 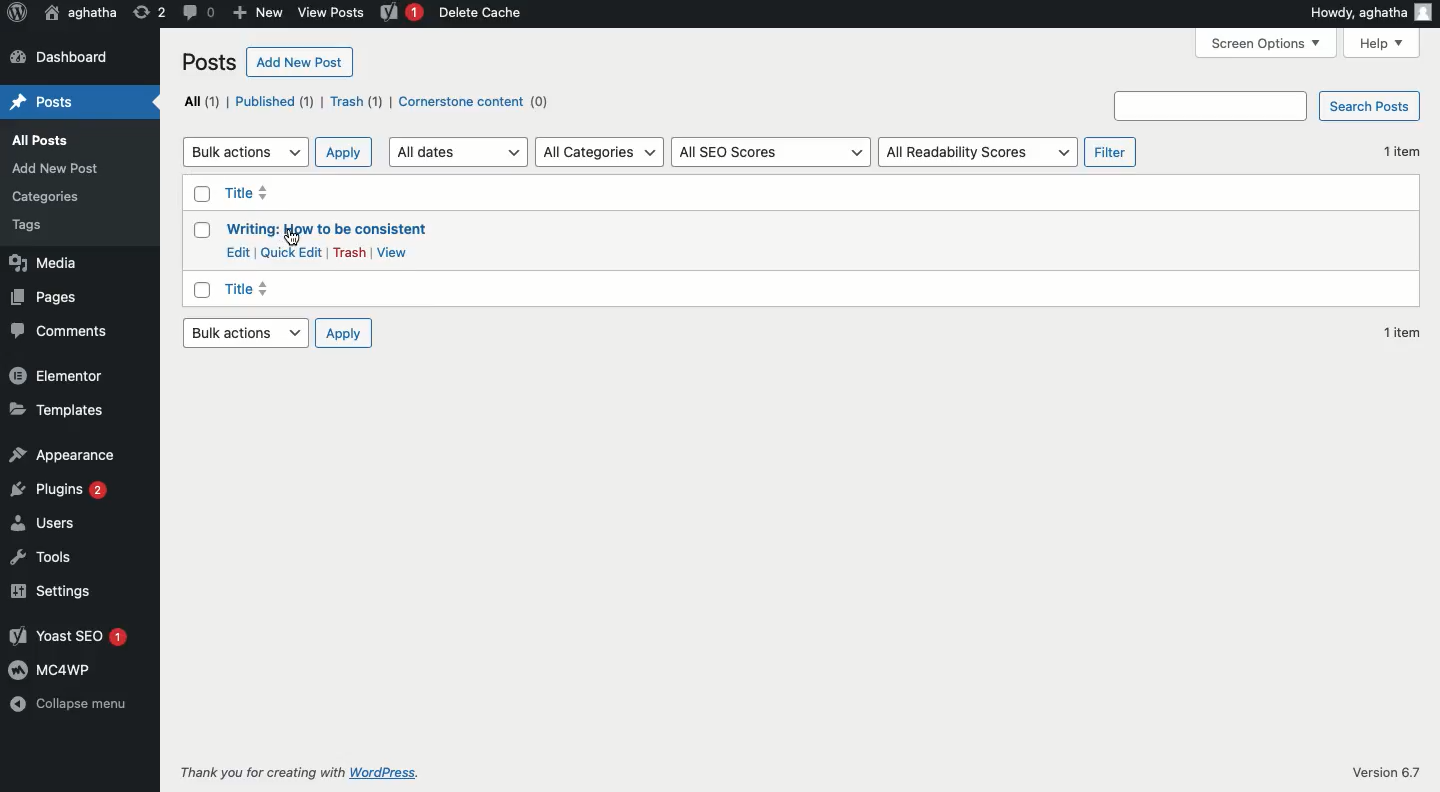 What do you see at coordinates (600, 152) in the screenshot?
I see `All categories` at bounding box center [600, 152].